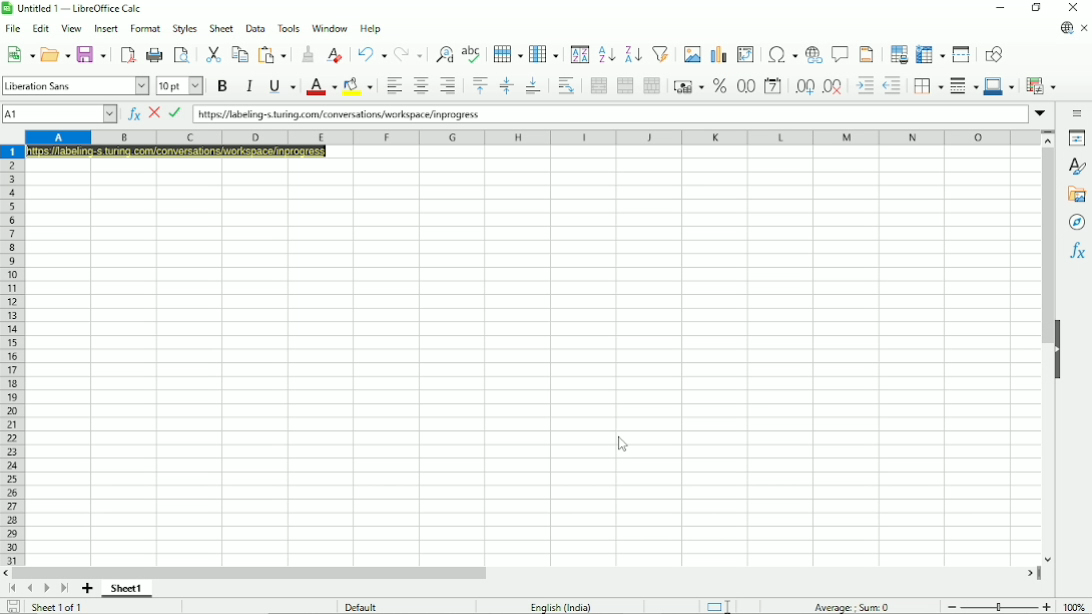  What do you see at coordinates (1077, 166) in the screenshot?
I see `Styles` at bounding box center [1077, 166].